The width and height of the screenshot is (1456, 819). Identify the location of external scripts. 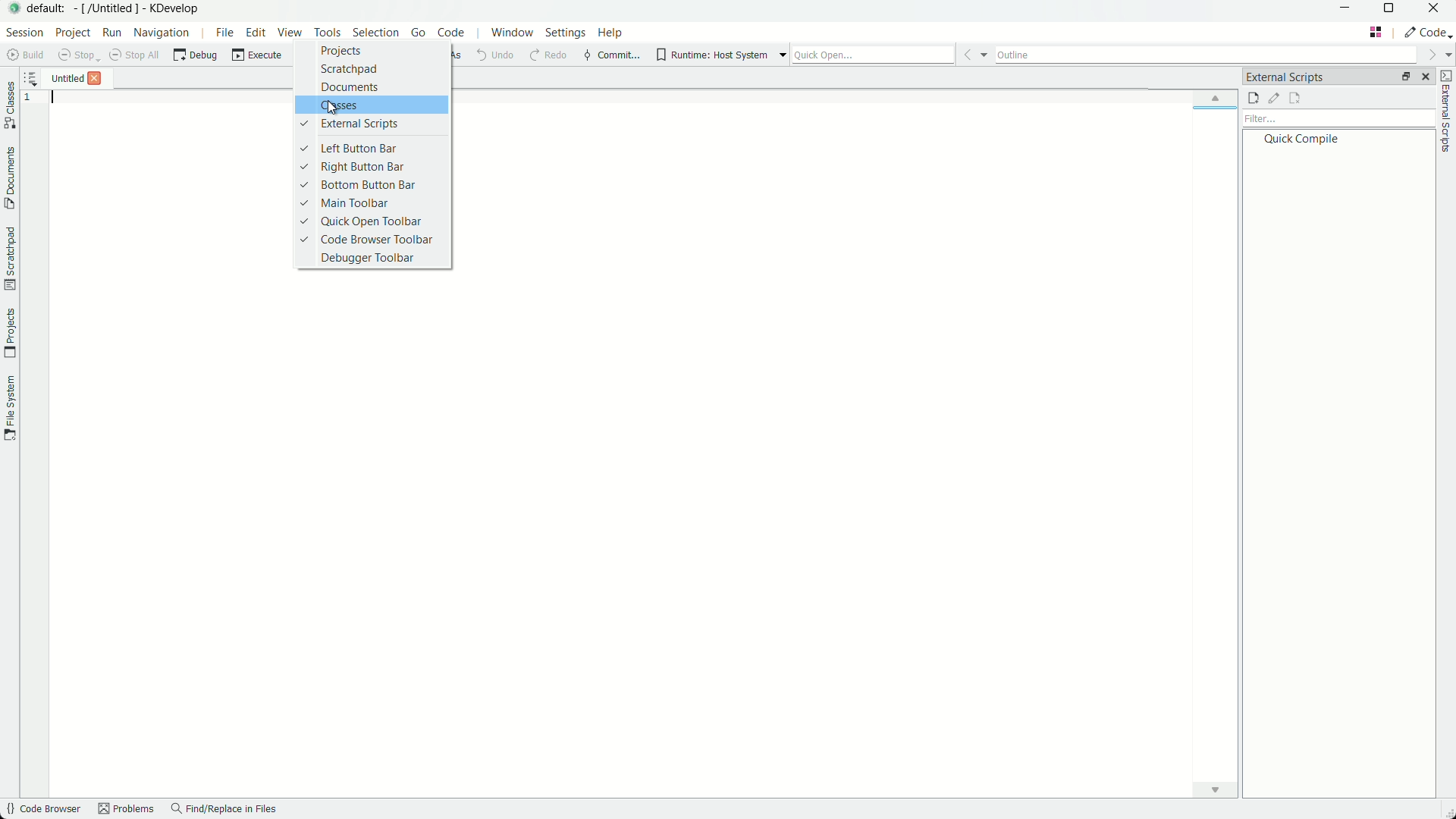
(1285, 76).